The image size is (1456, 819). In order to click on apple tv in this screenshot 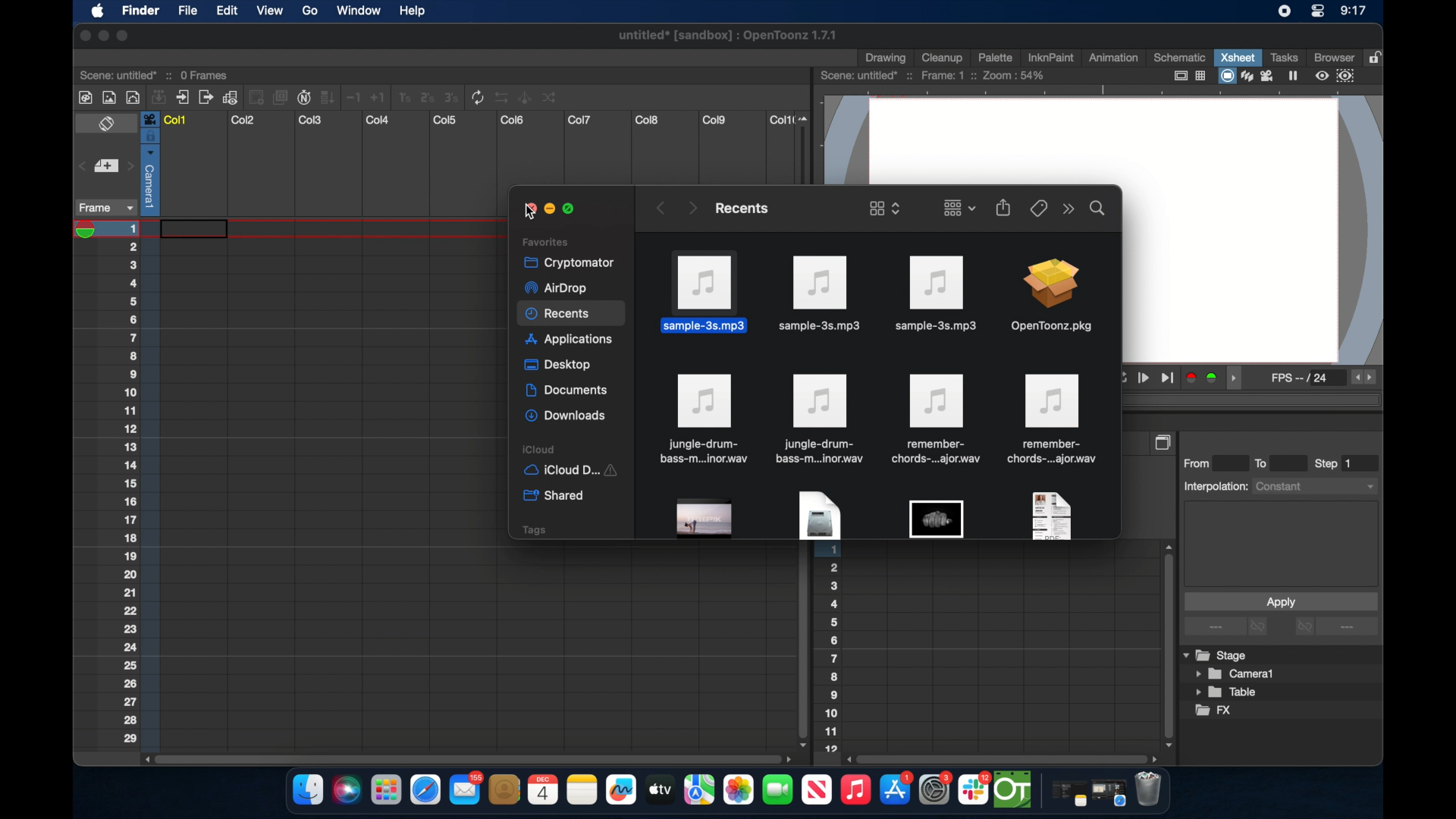, I will do `click(816, 790)`.